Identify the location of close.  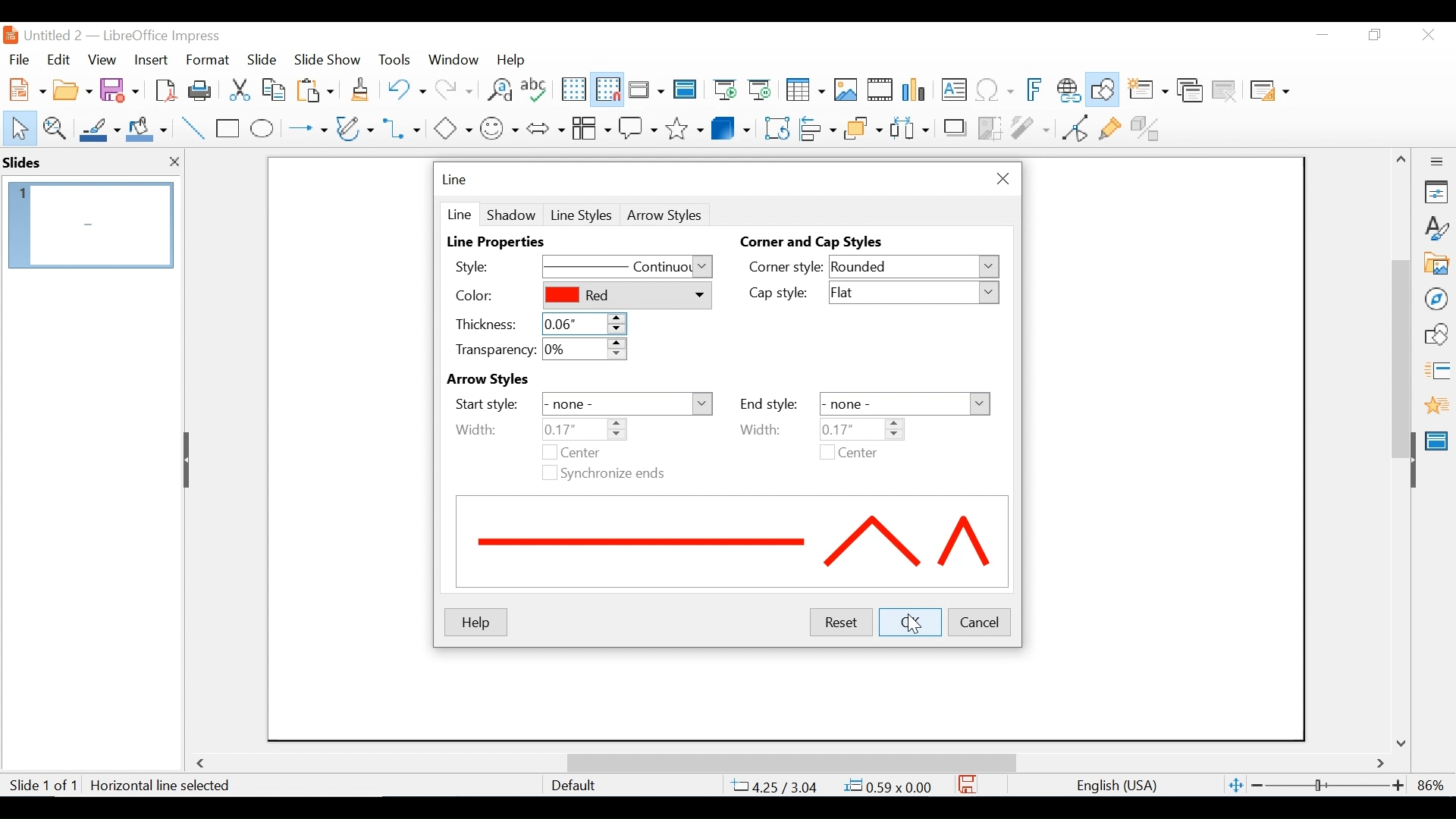
(176, 163).